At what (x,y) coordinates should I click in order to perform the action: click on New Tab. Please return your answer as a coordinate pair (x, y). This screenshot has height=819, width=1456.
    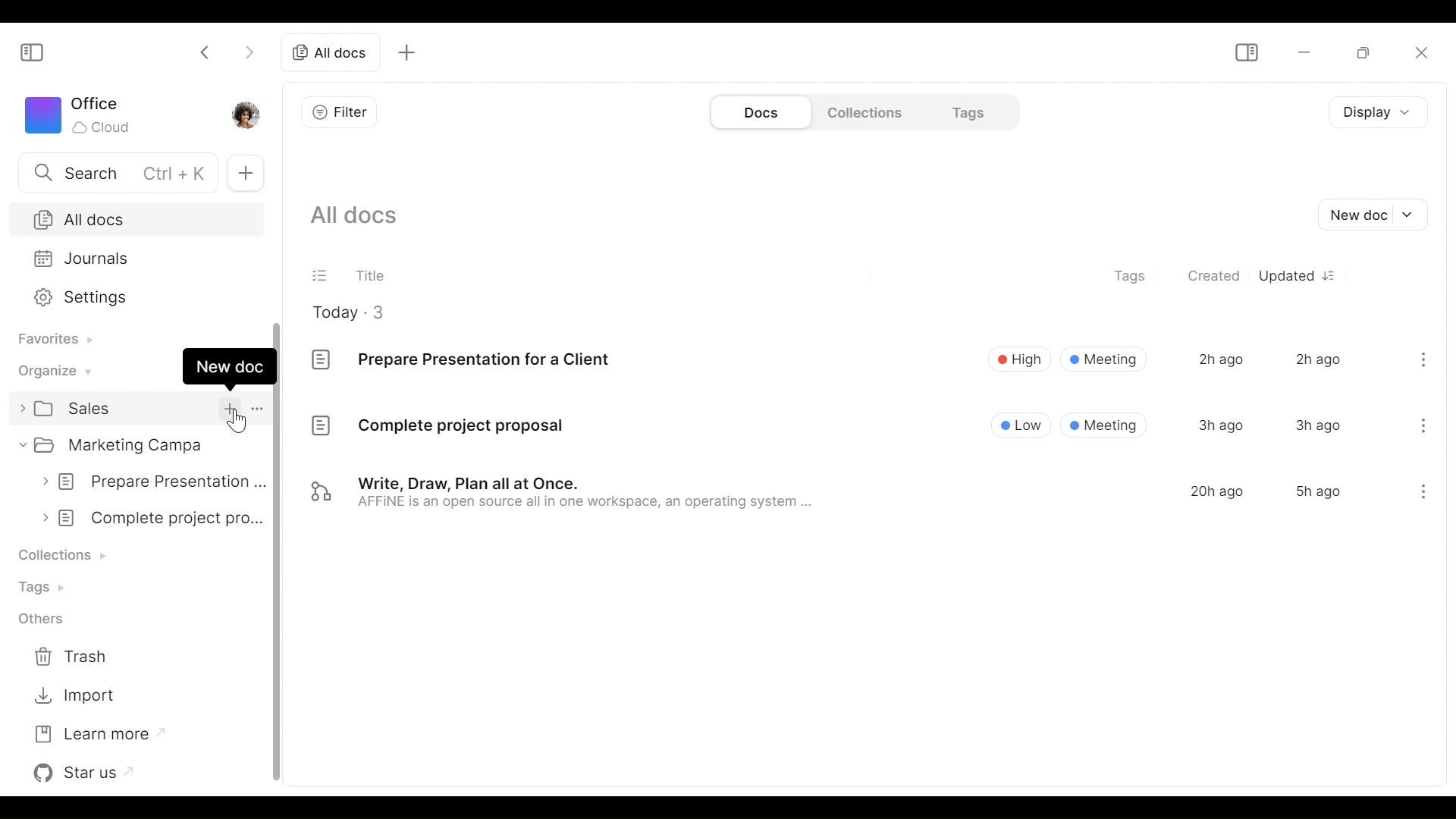
    Looking at the image, I should click on (246, 174).